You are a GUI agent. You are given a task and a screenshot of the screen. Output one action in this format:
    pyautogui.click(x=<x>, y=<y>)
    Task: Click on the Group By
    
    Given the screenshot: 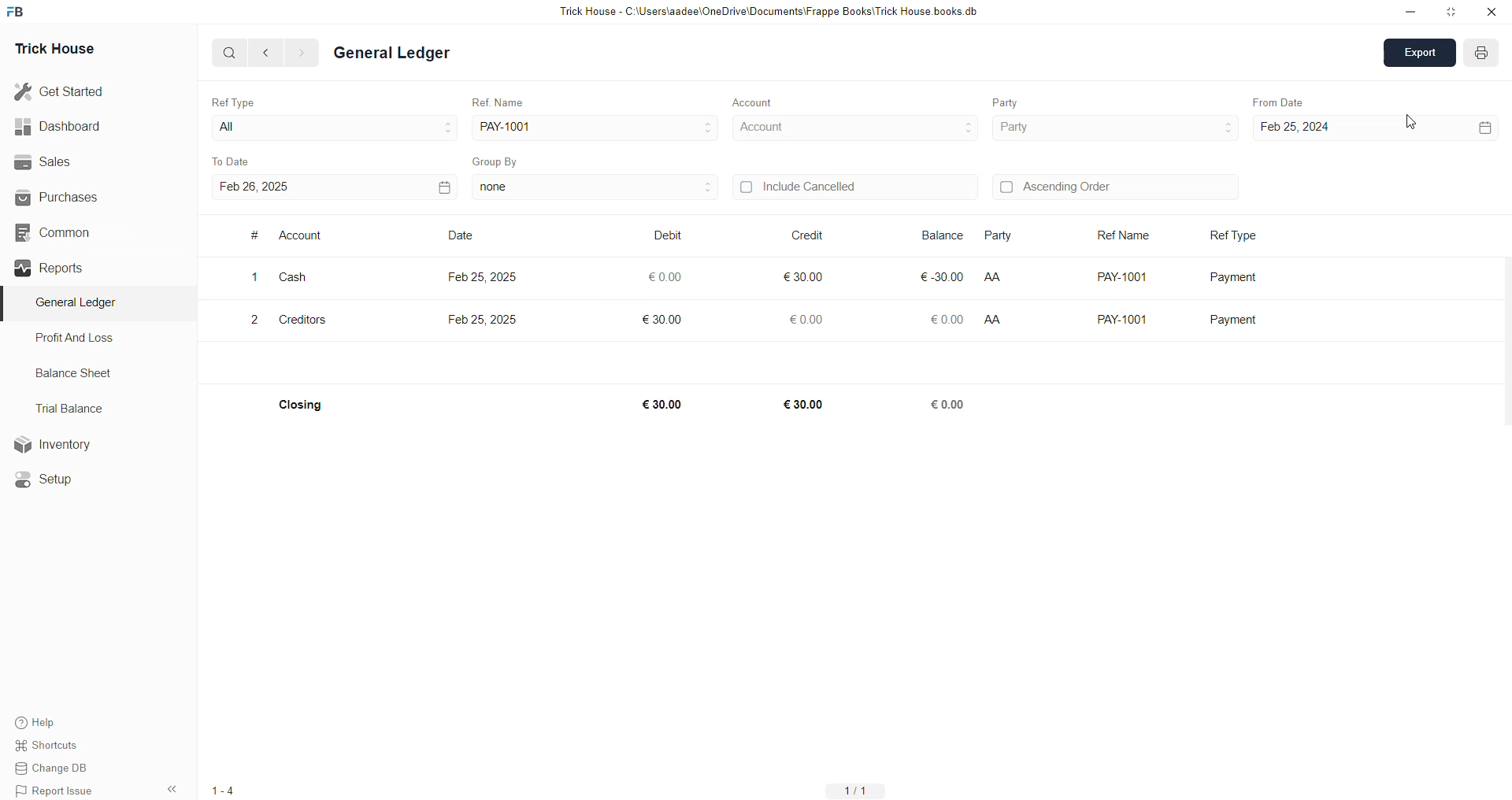 What is the action you would take?
    pyautogui.click(x=498, y=157)
    